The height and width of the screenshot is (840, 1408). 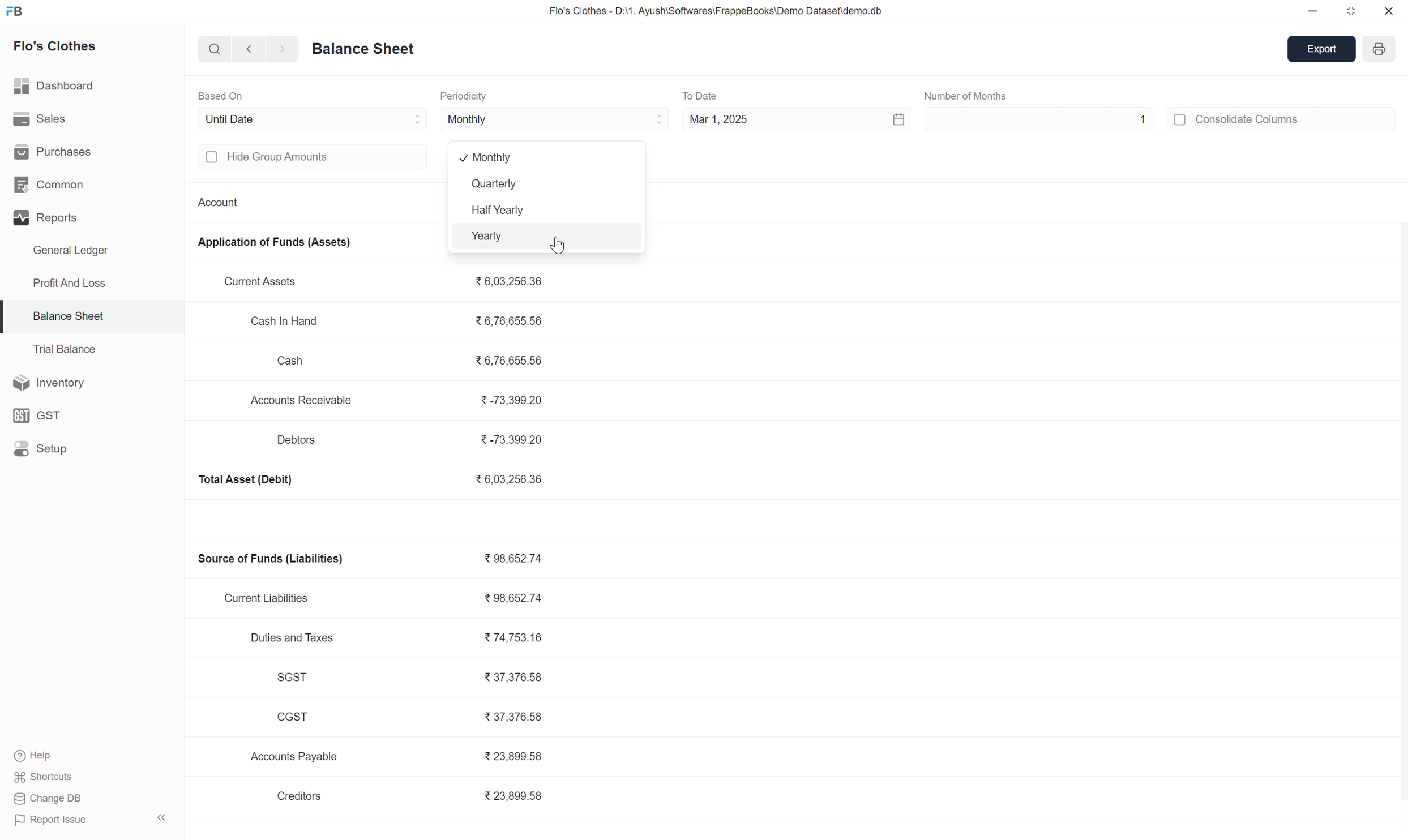 What do you see at coordinates (305, 401) in the screenshot?
I see `Accounts Receivable` at bounding box center [305, 401].